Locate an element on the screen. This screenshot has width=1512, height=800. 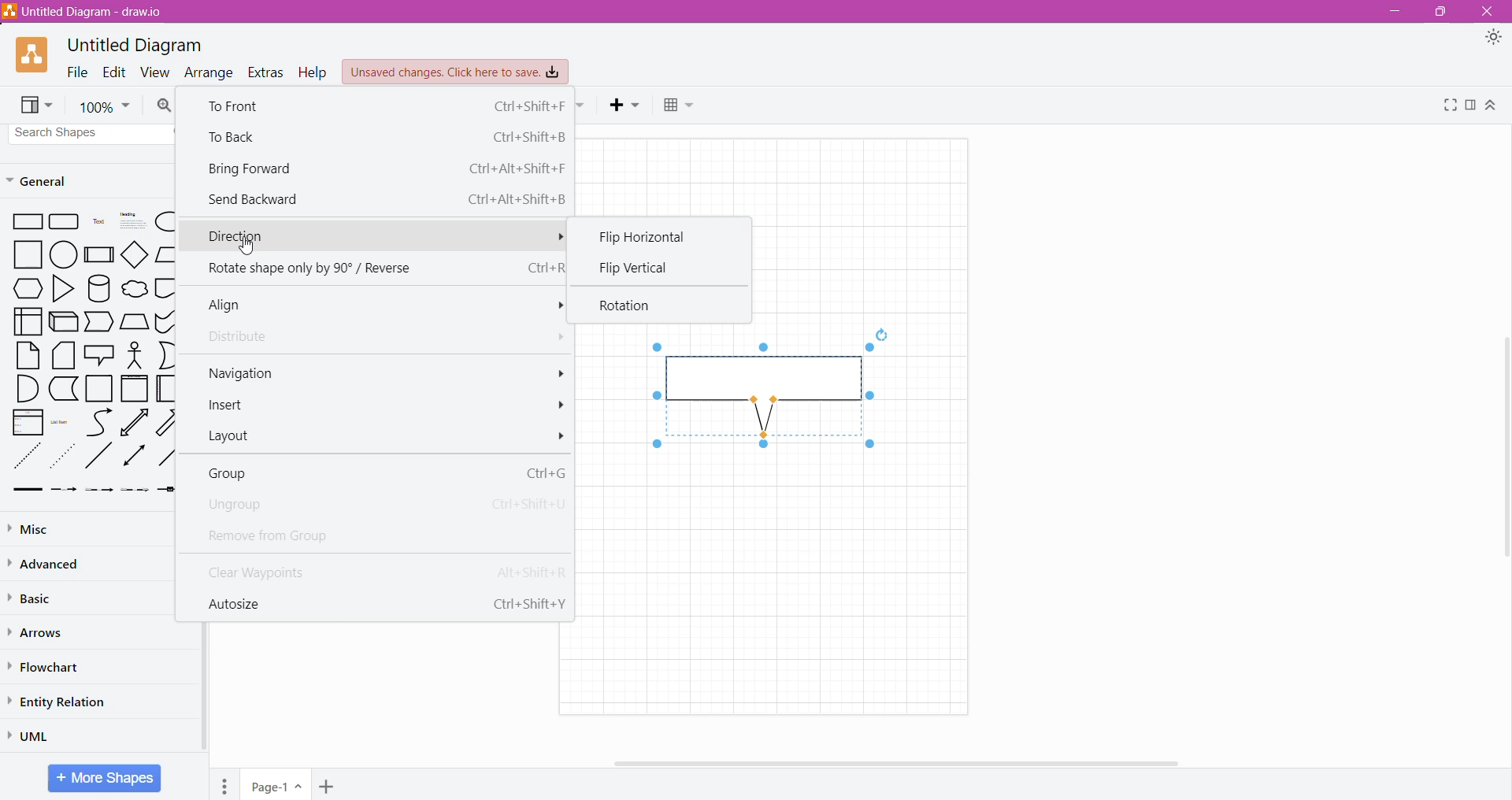
Heading is located at coordinates (130, 222).